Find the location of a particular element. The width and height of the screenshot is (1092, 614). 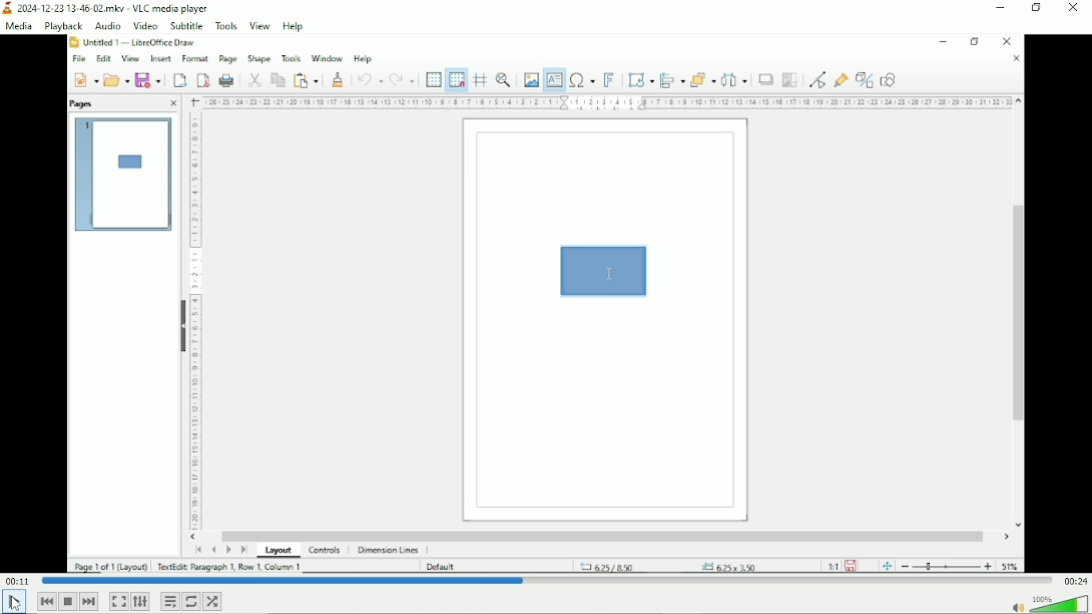

cursor is located at coordinates (15, 605).